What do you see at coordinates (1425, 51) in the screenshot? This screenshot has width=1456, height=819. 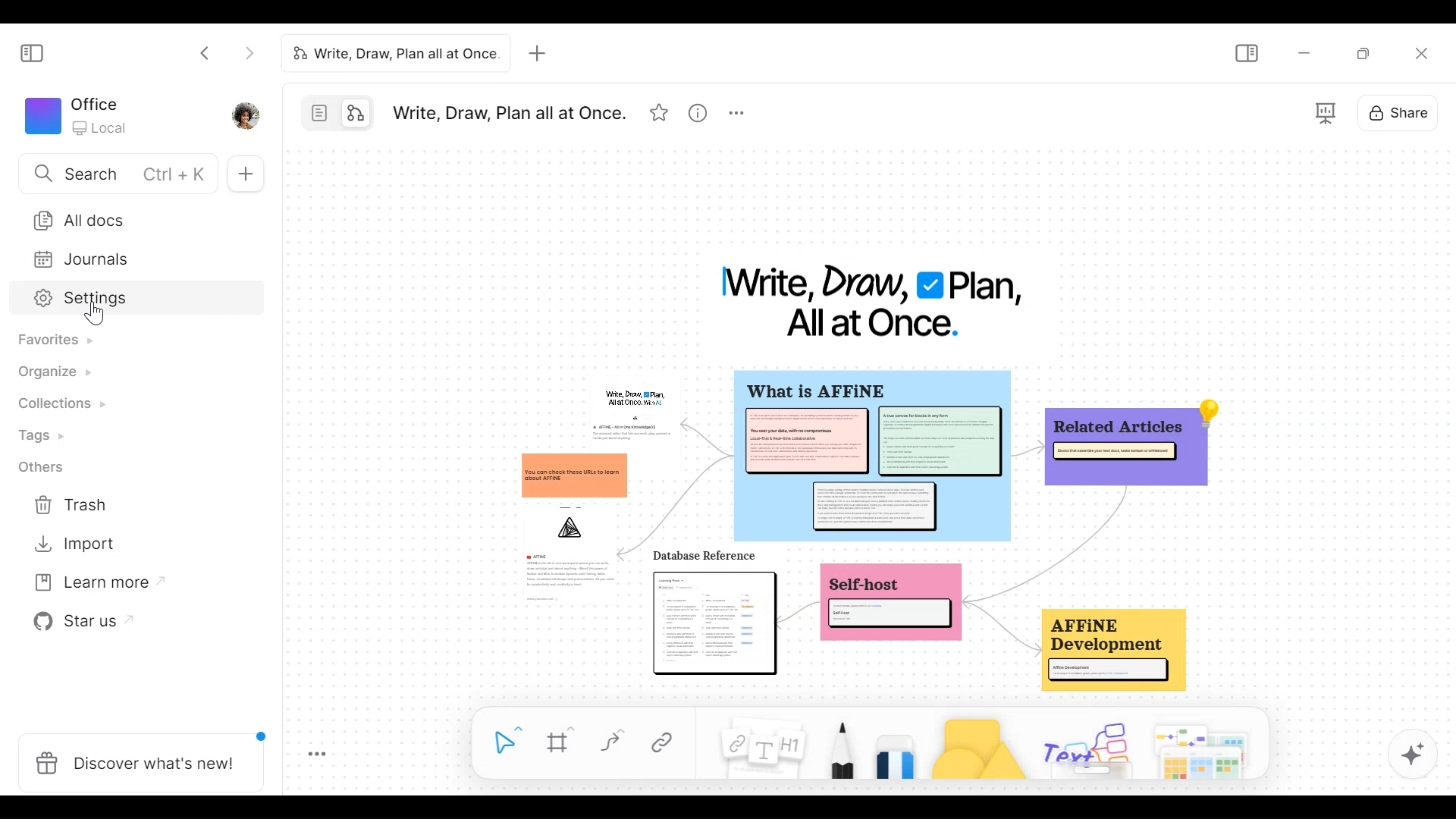 I see `Close` at bounding box center [1425, 51].